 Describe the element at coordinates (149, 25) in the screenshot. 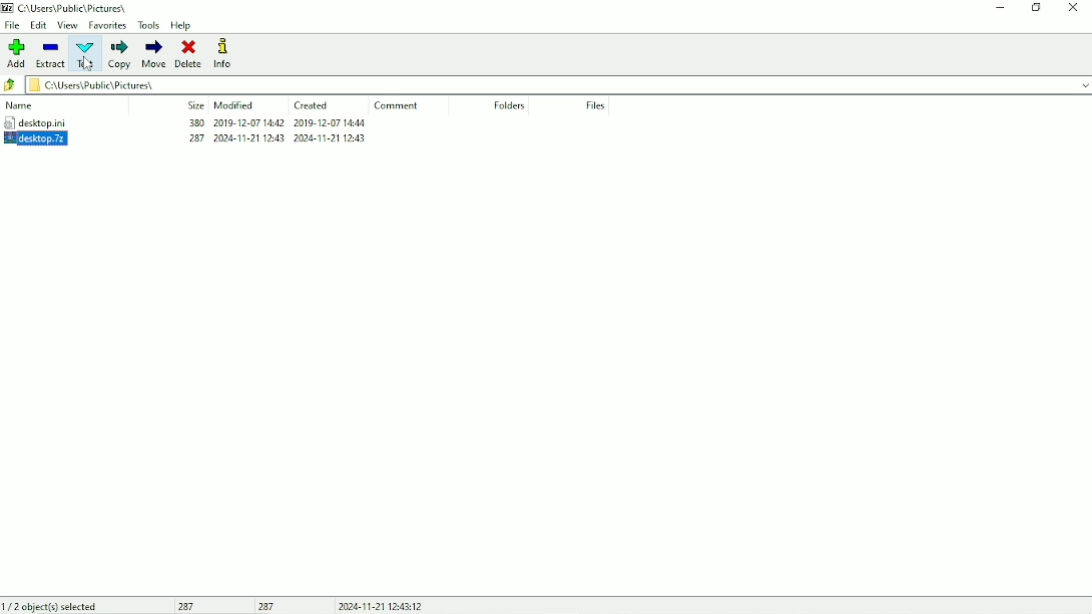

I see `Tools` at that location.